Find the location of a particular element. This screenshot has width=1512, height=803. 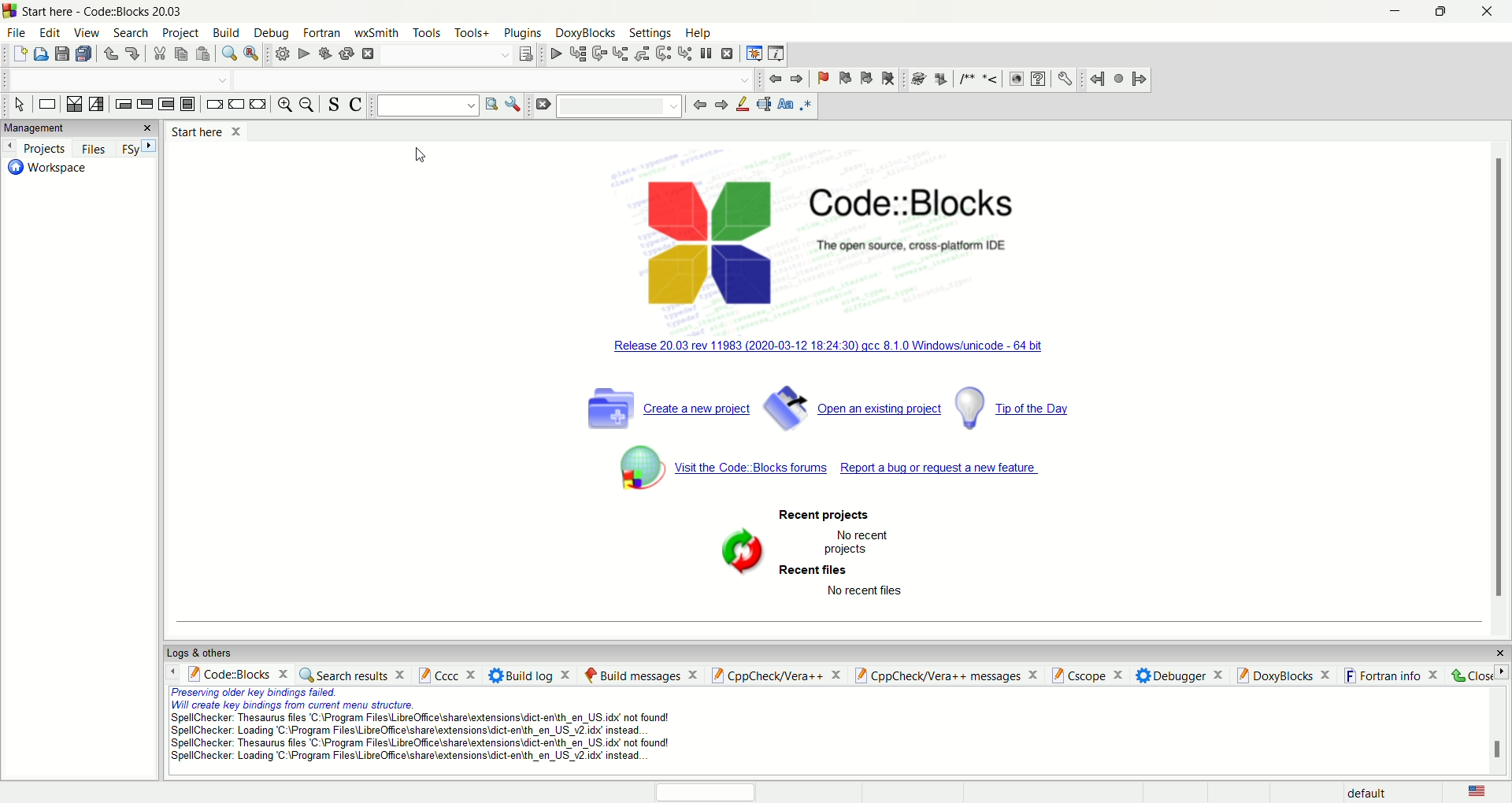

Extract is located at coordinates (937, 76).